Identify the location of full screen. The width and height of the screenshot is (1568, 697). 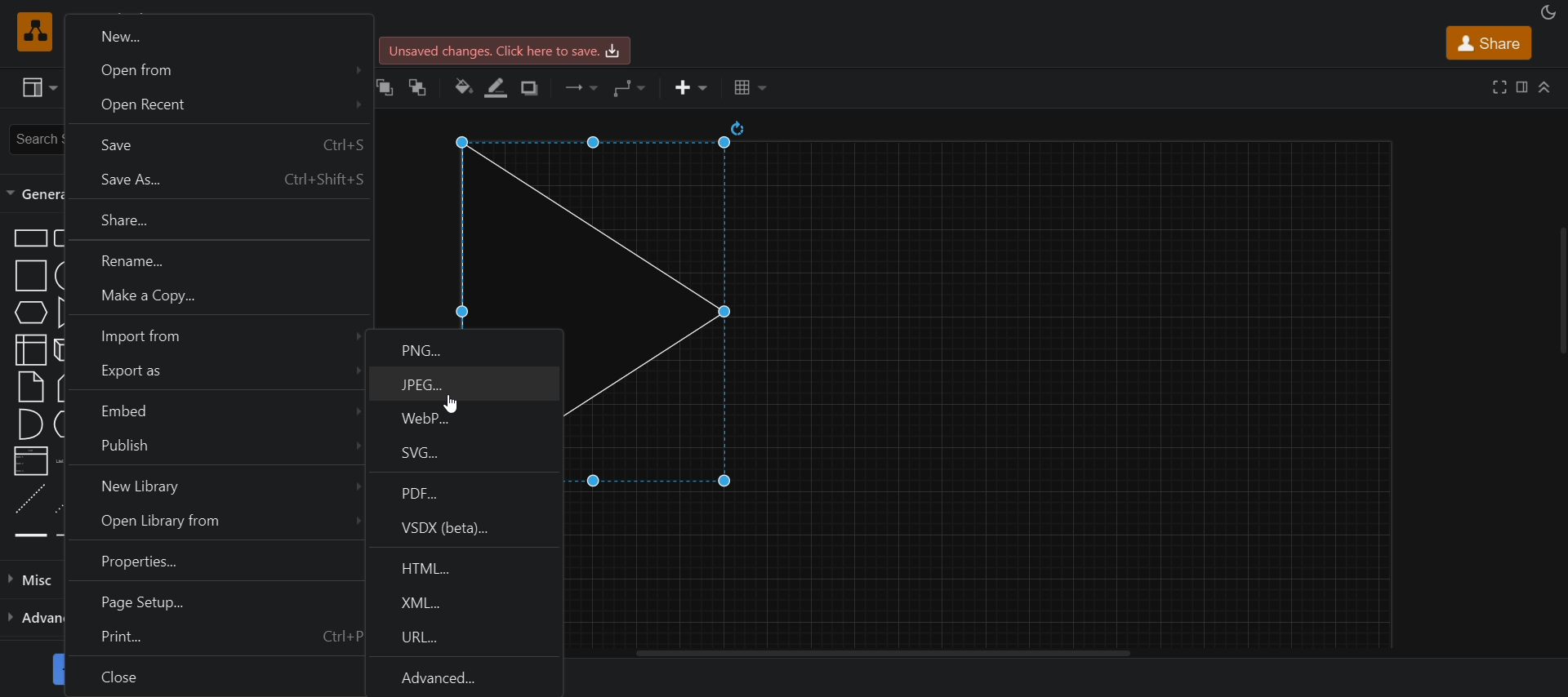
(1497, 87).